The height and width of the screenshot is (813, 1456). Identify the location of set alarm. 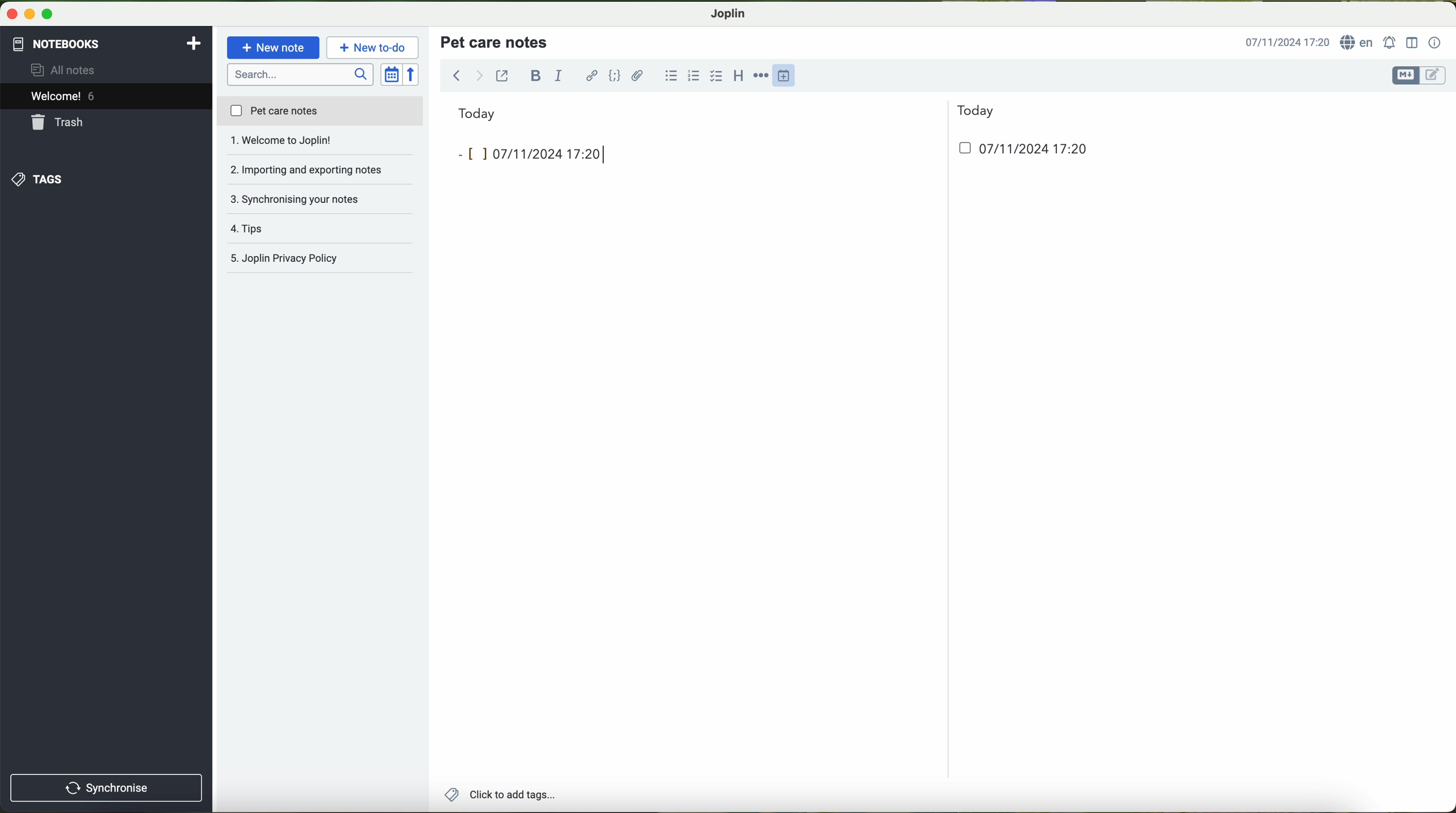
(1391, 42).